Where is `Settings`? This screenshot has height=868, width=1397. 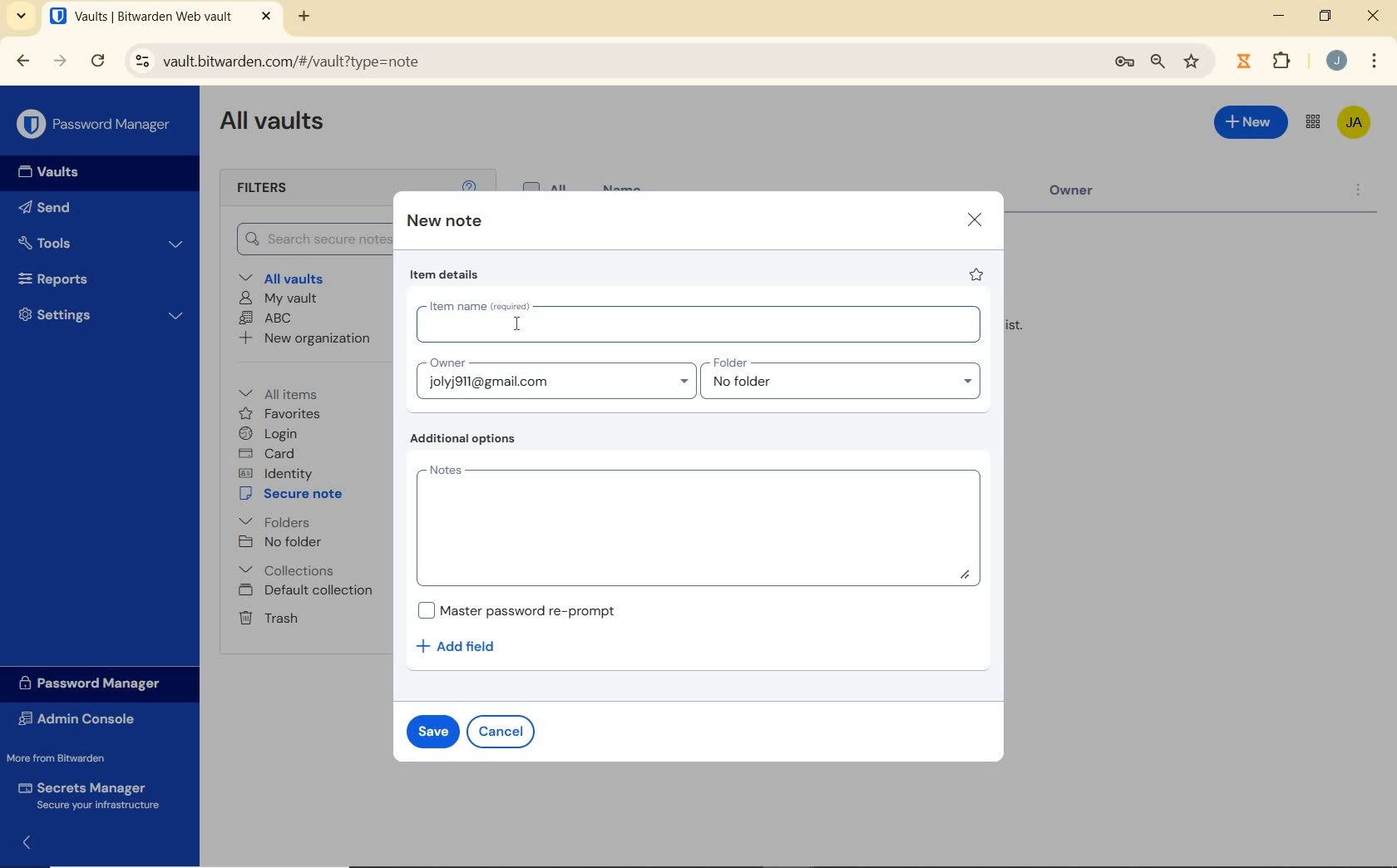 Settings is located at coordinates (99, 314).